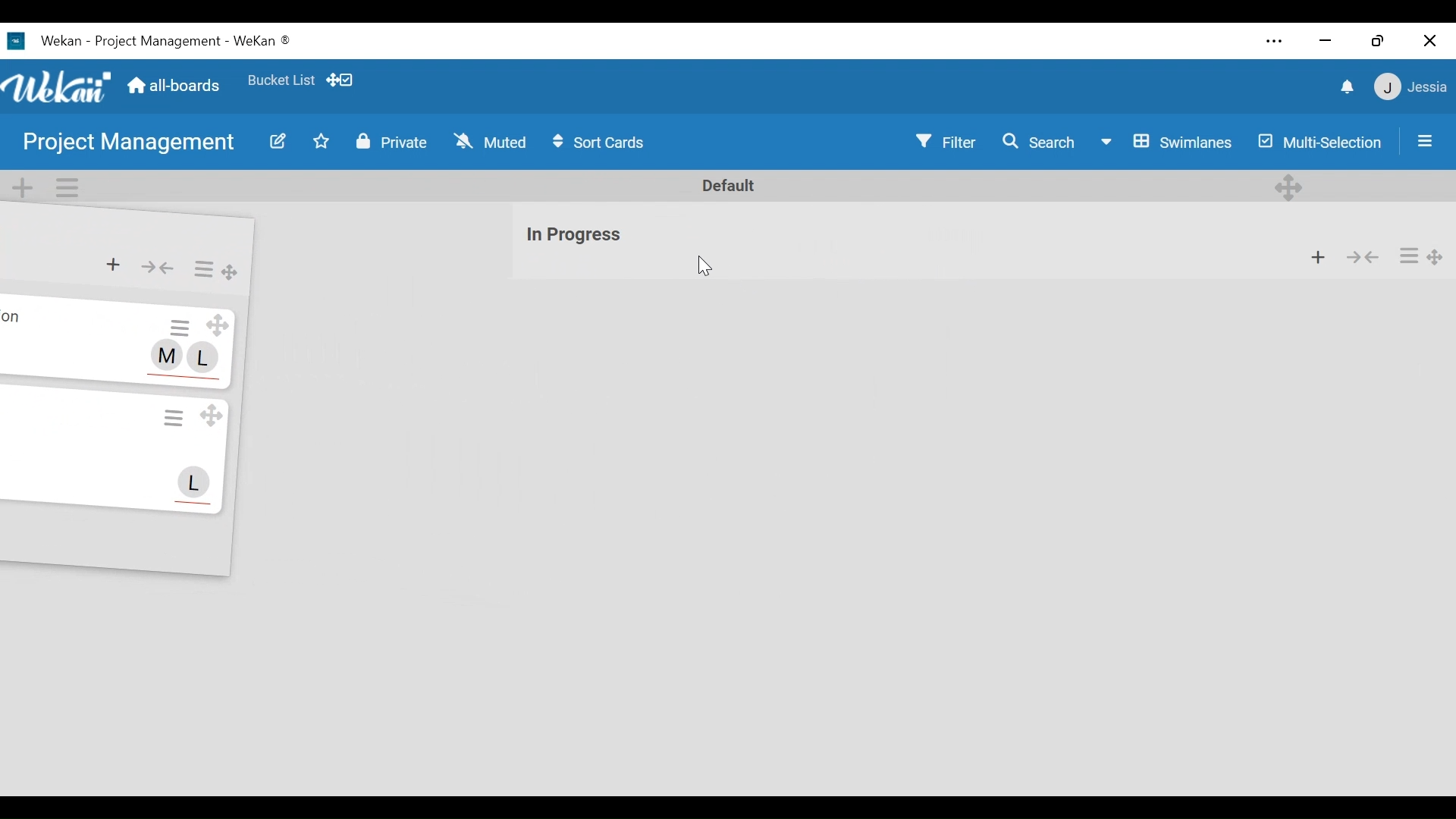 This screenshot has width=1456, height=819. I want to click on Card Actions, so click(178, 327).